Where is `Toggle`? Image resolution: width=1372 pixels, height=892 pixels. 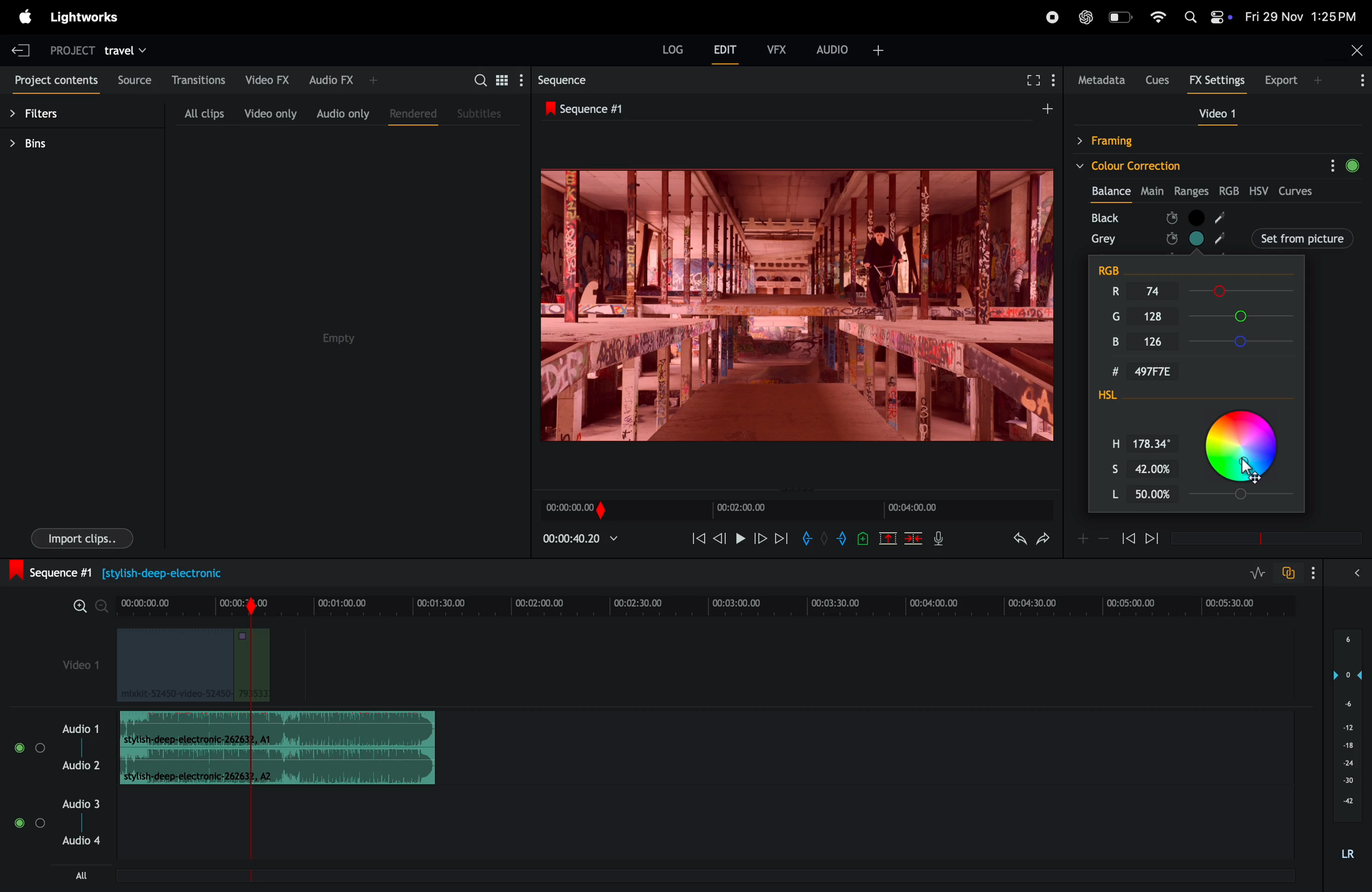
Toggle is located at coordinates (41, 824).